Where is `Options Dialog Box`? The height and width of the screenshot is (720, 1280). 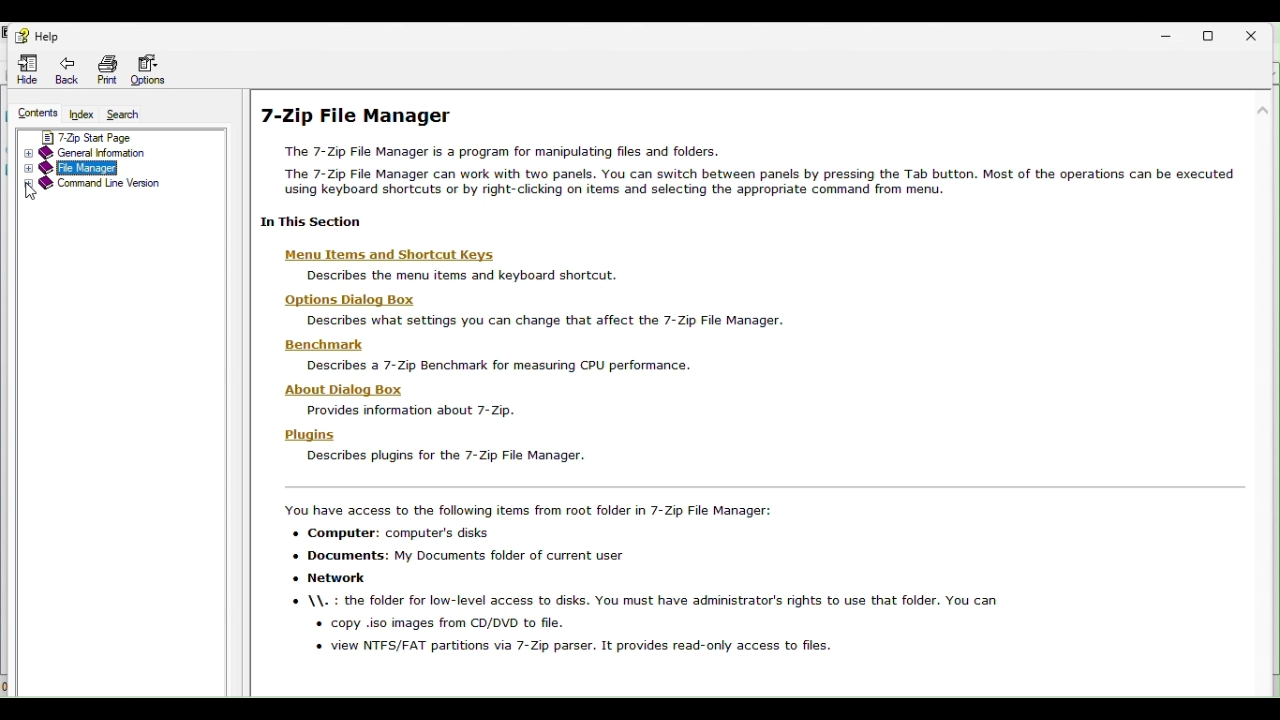 Options Dialog Box is located at coordinates (343, 302).